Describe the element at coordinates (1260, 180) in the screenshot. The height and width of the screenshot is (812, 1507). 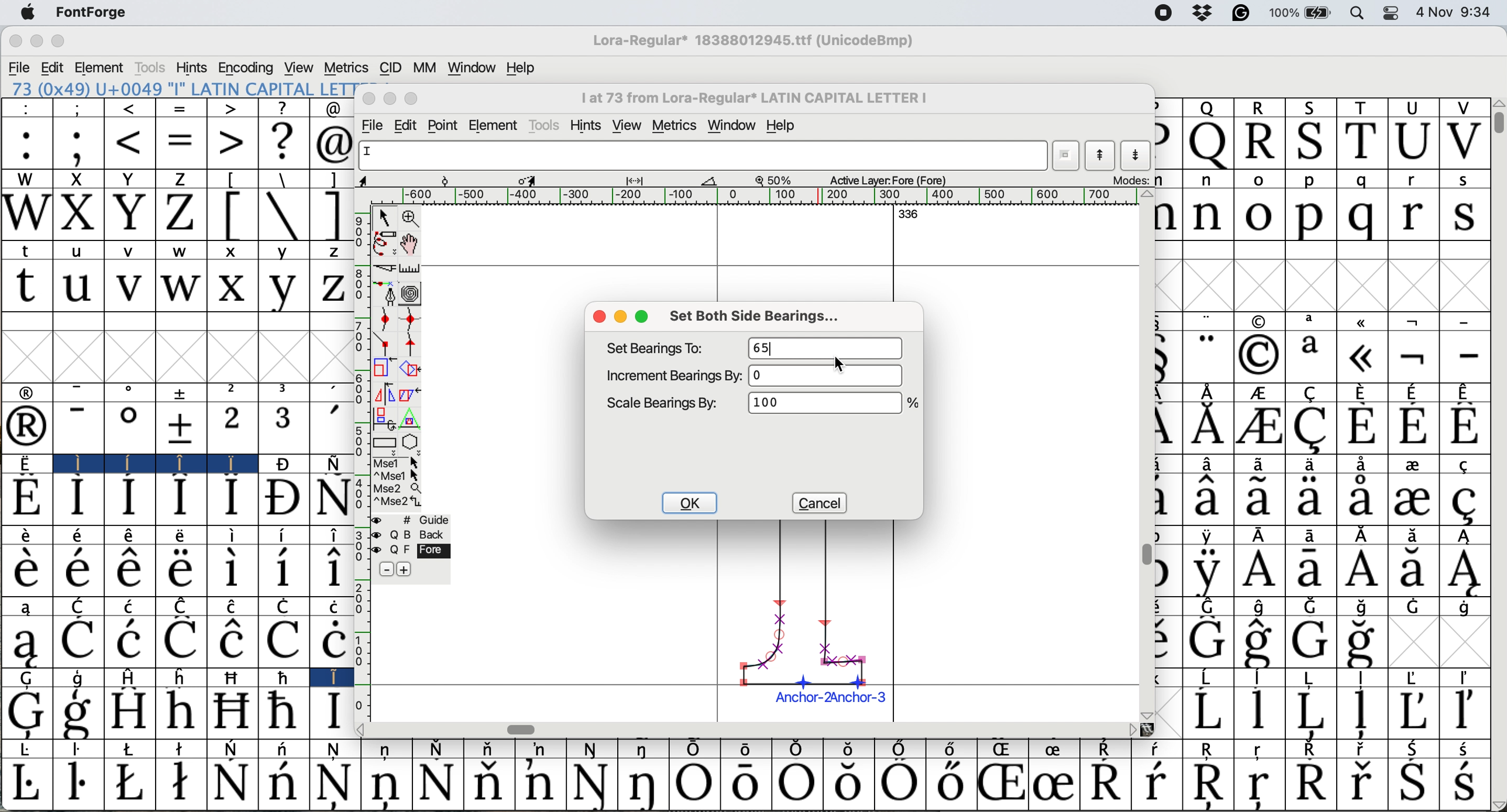
I see `o` at that location.